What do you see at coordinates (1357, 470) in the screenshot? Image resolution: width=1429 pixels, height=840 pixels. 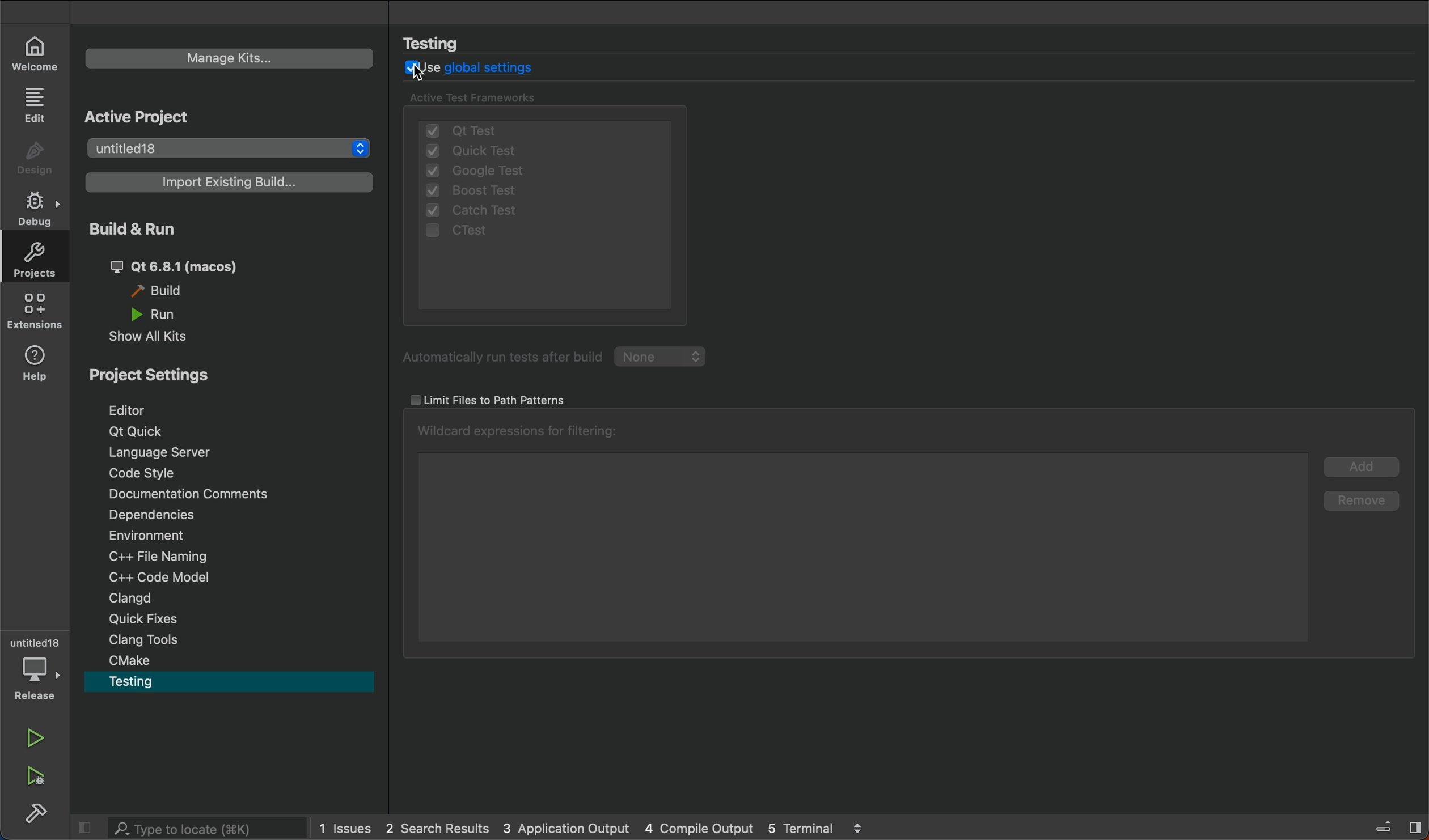 I see `add` at bounding box center [1357, 470].